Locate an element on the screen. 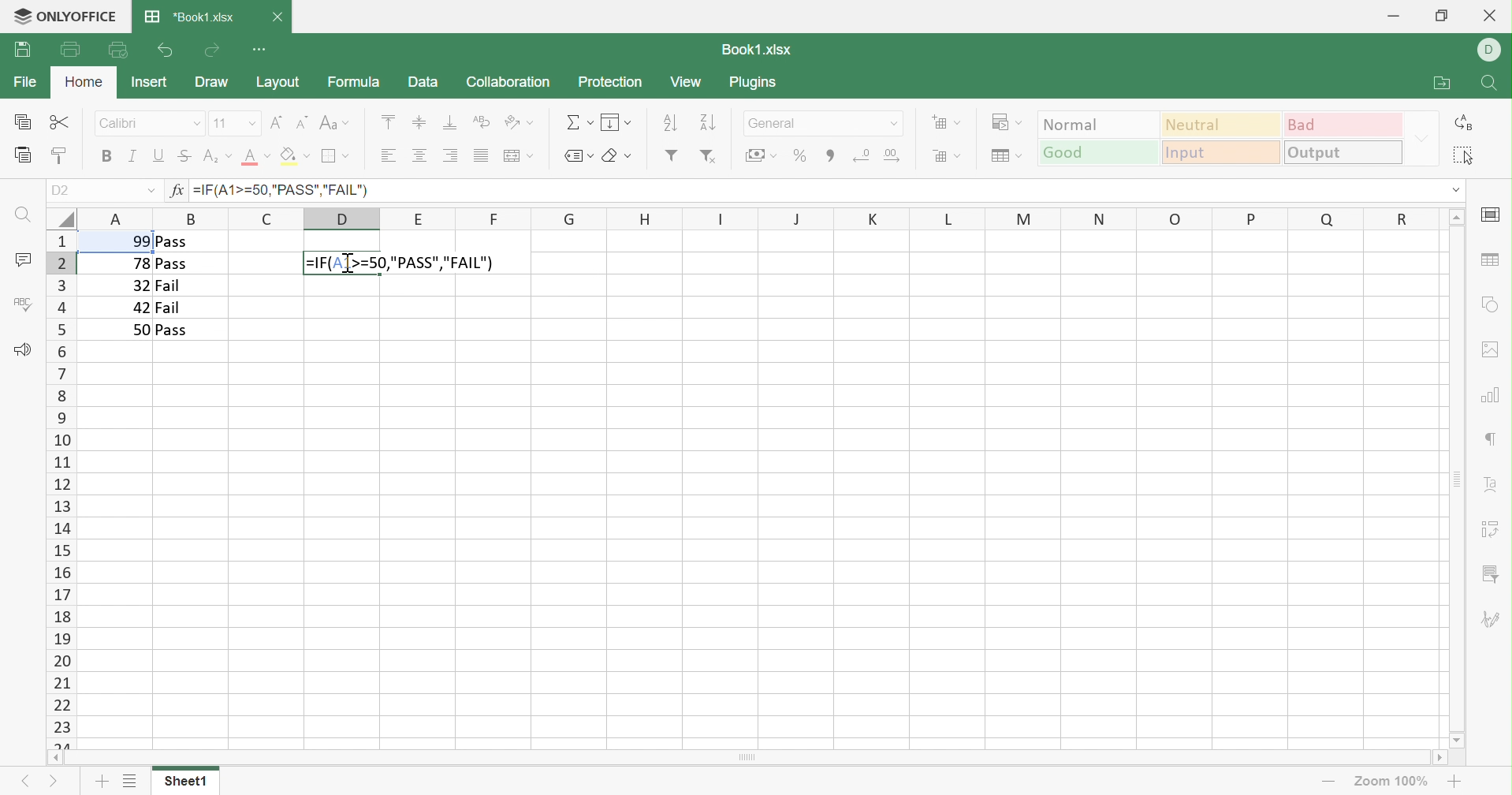 This screenshot has height=795, width=1512. Replace is located at coordinates (1465, 123).